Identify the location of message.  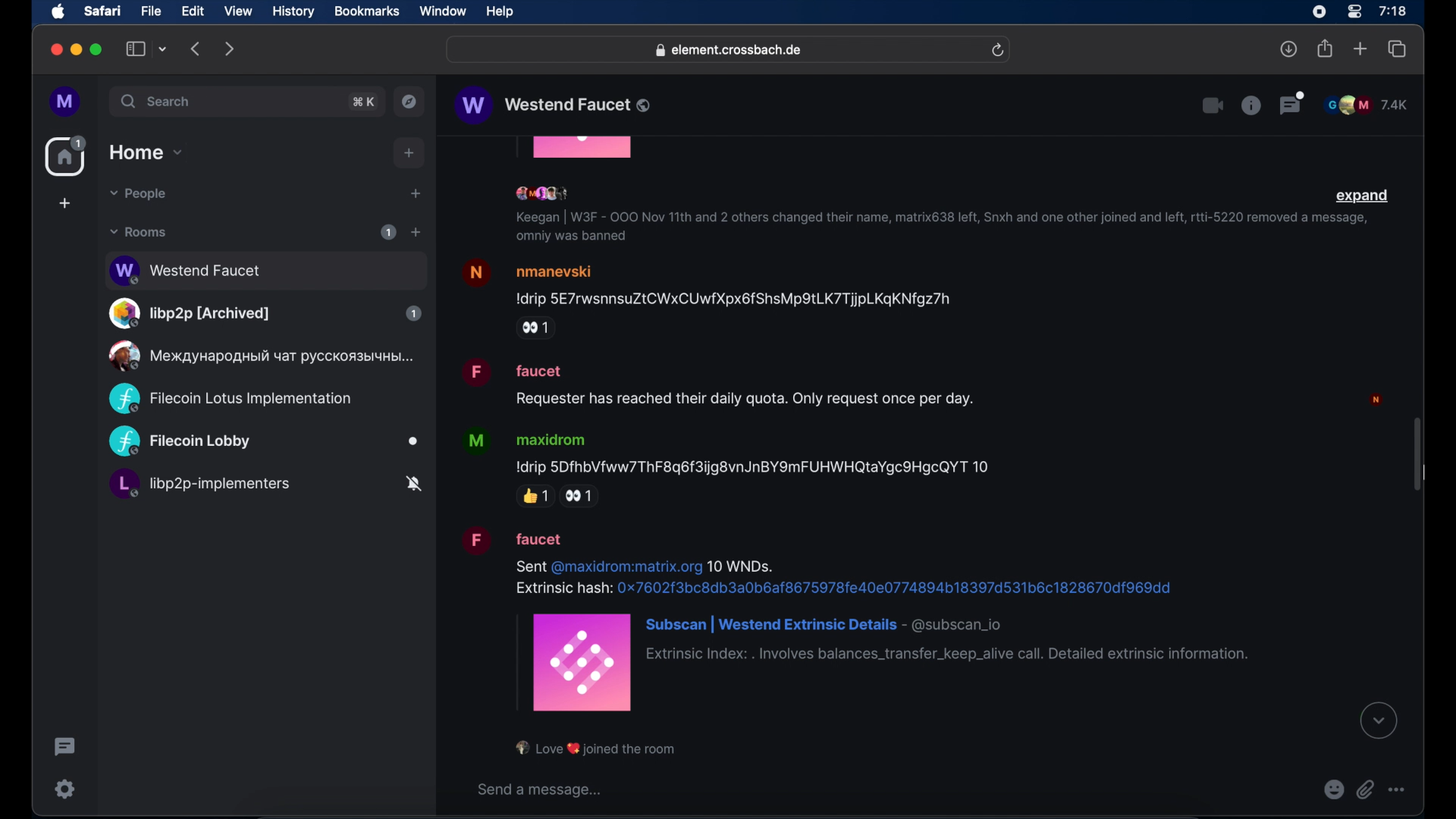
(855, 618).